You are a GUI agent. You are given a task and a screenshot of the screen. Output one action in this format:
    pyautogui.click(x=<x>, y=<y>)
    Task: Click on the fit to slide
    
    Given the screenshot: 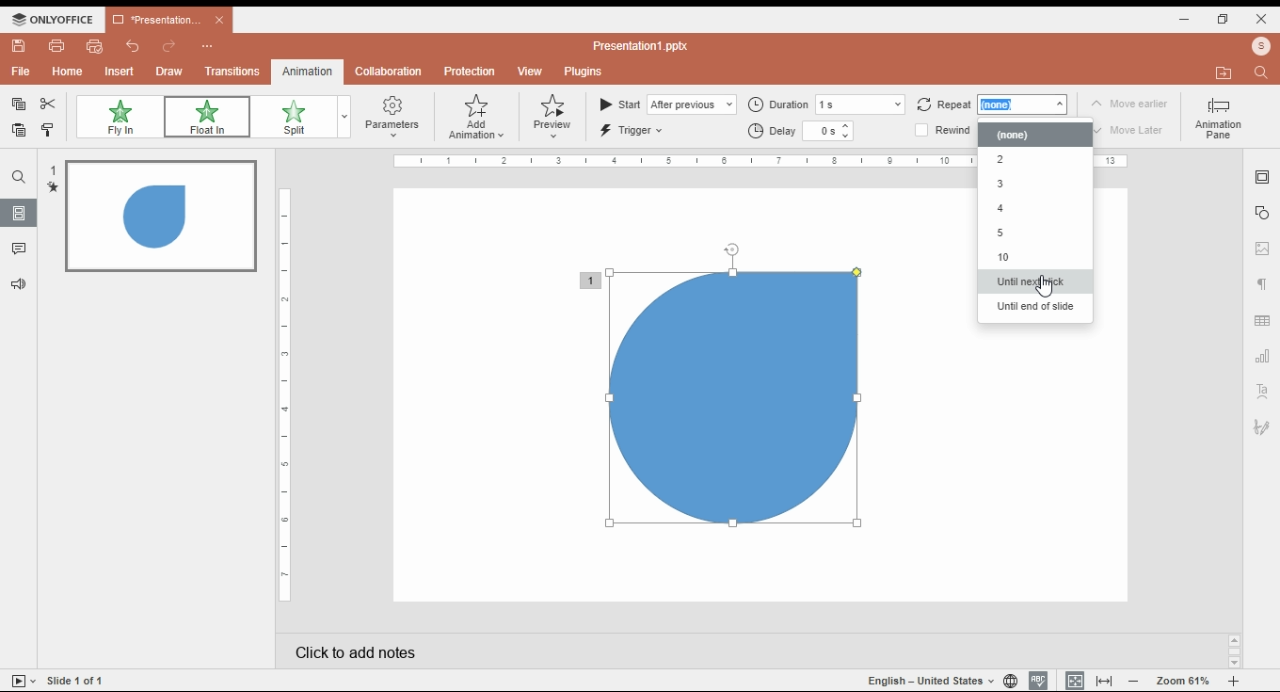 What is the action you would take?
    pyautogui.click(x=1075, y=681)
    